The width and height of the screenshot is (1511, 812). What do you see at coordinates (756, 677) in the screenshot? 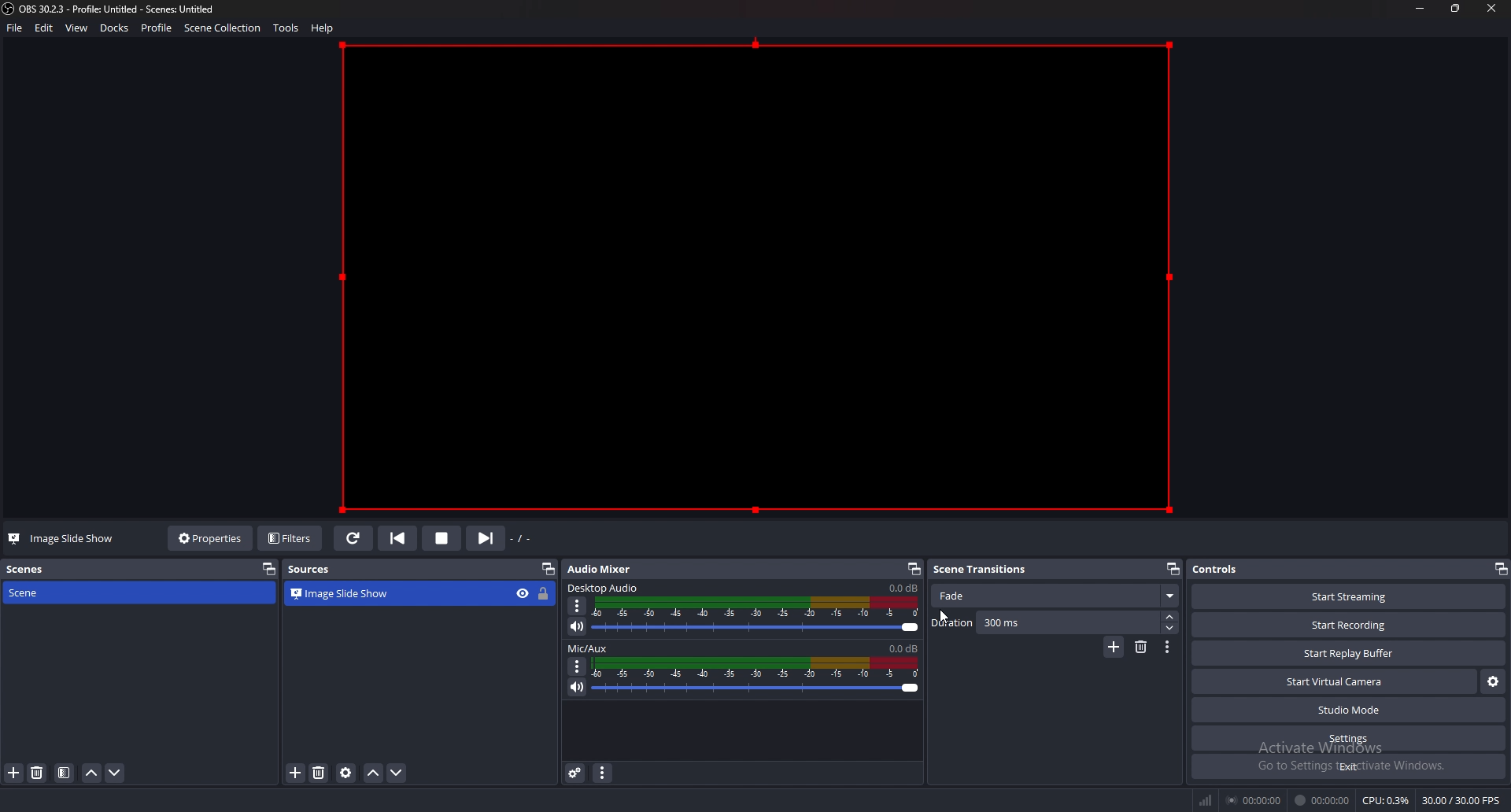
I see `volume adjust` at bounding box center [756, 677].